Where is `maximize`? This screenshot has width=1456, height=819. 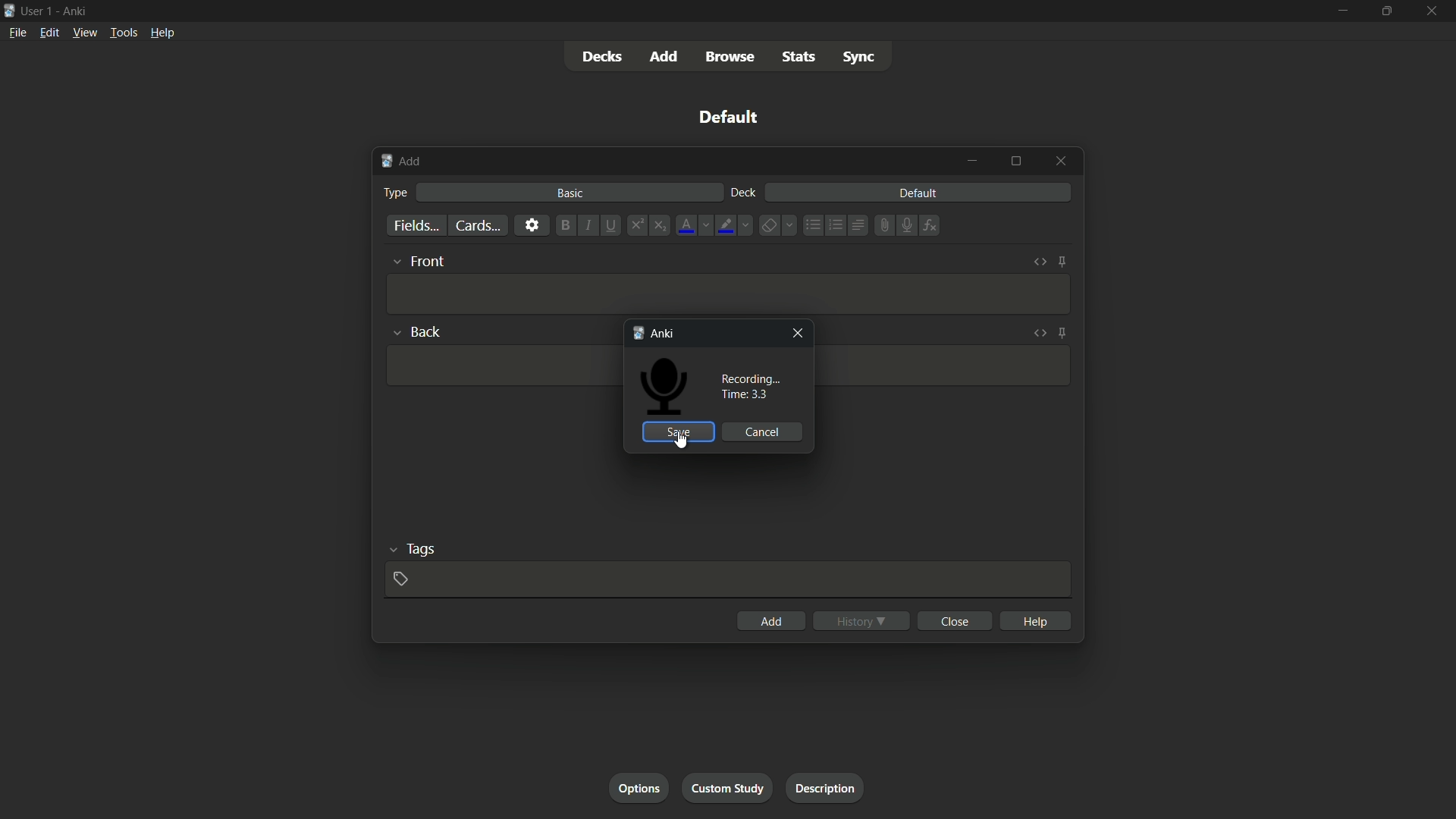 maximize is located at coordinates (1015, 162).